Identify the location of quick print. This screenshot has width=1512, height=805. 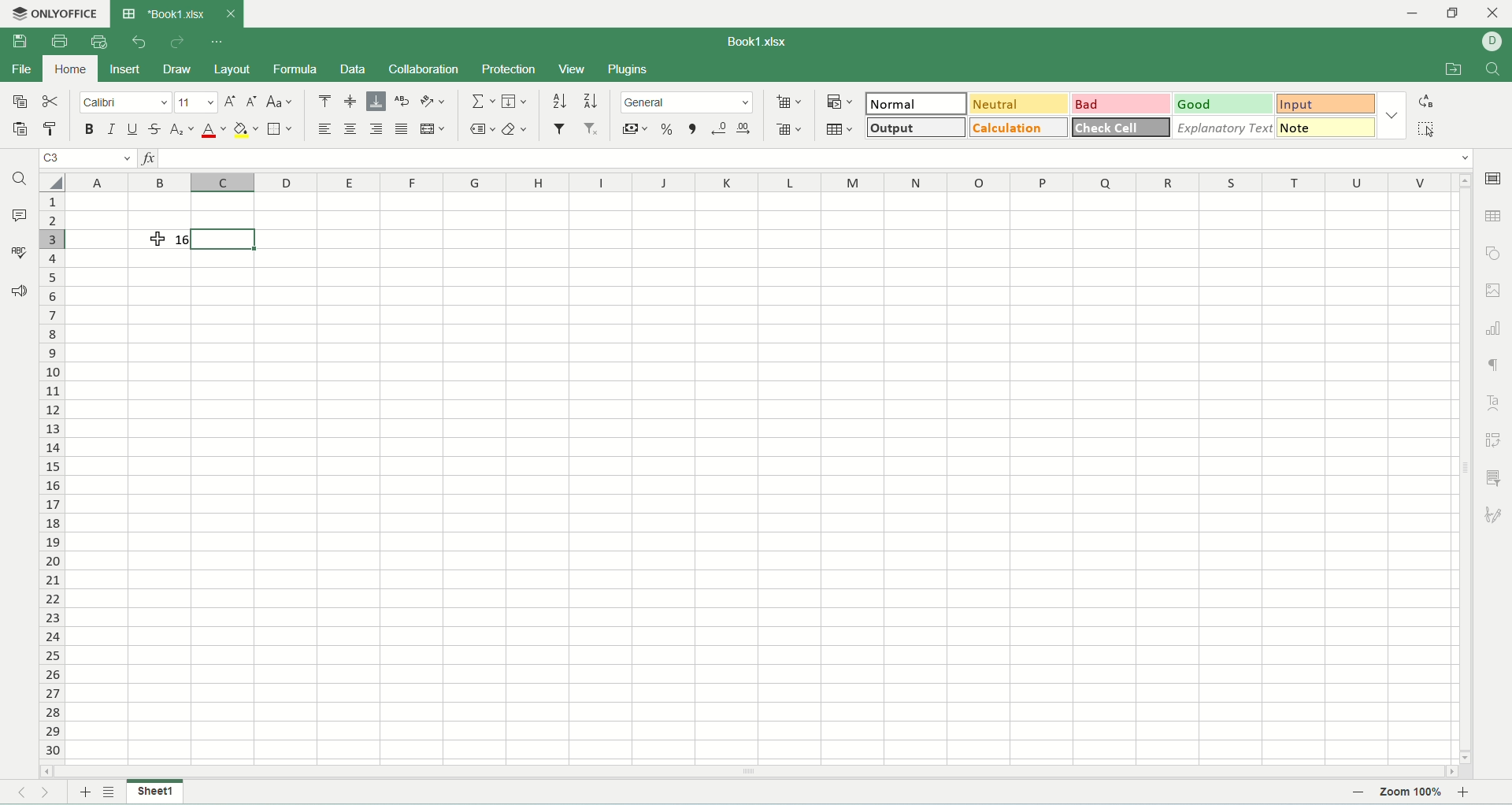
(100, 40).